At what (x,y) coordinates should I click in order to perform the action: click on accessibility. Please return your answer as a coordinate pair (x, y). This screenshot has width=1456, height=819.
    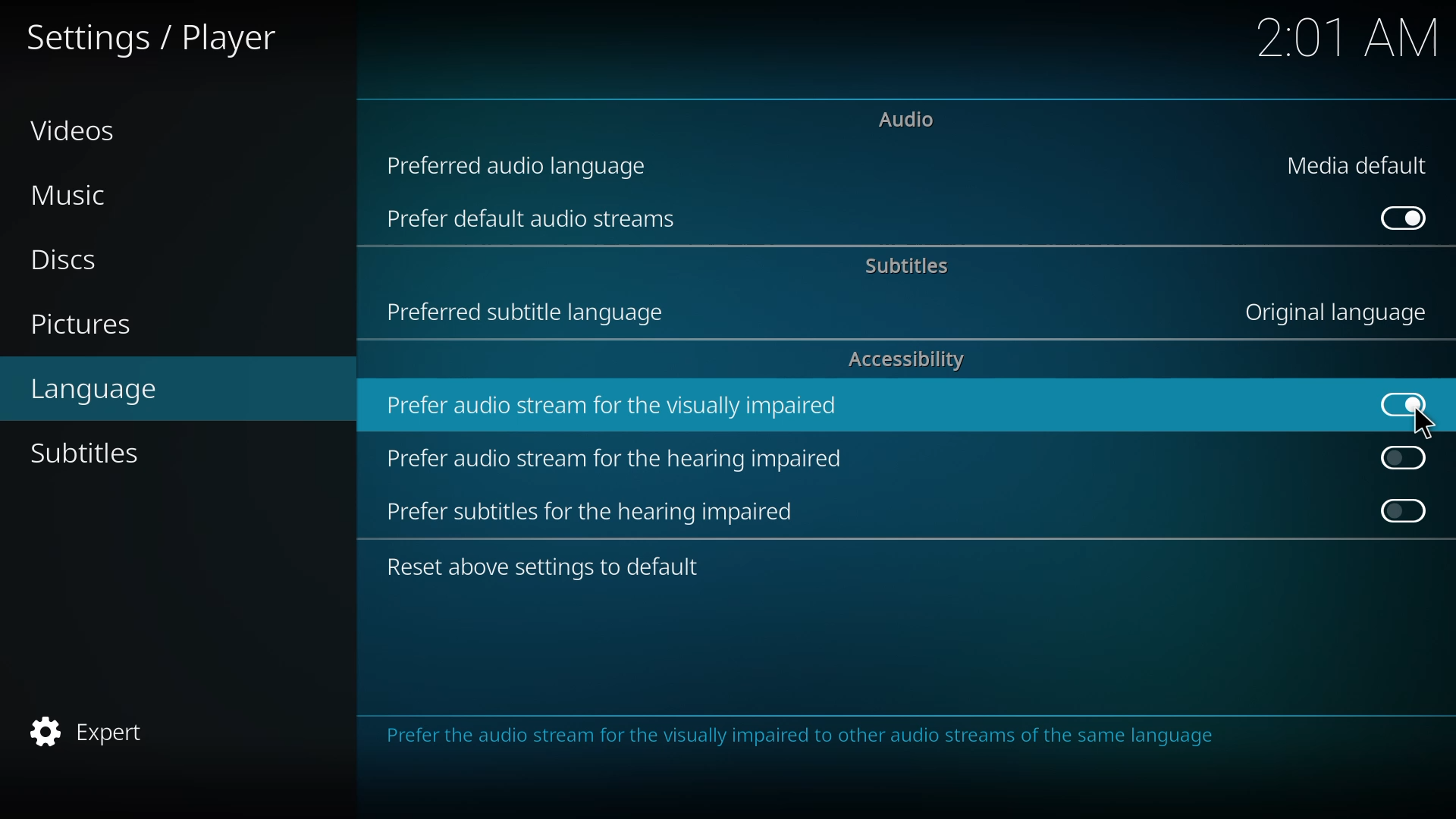
    Looking at the image, I should click on (906, 360).